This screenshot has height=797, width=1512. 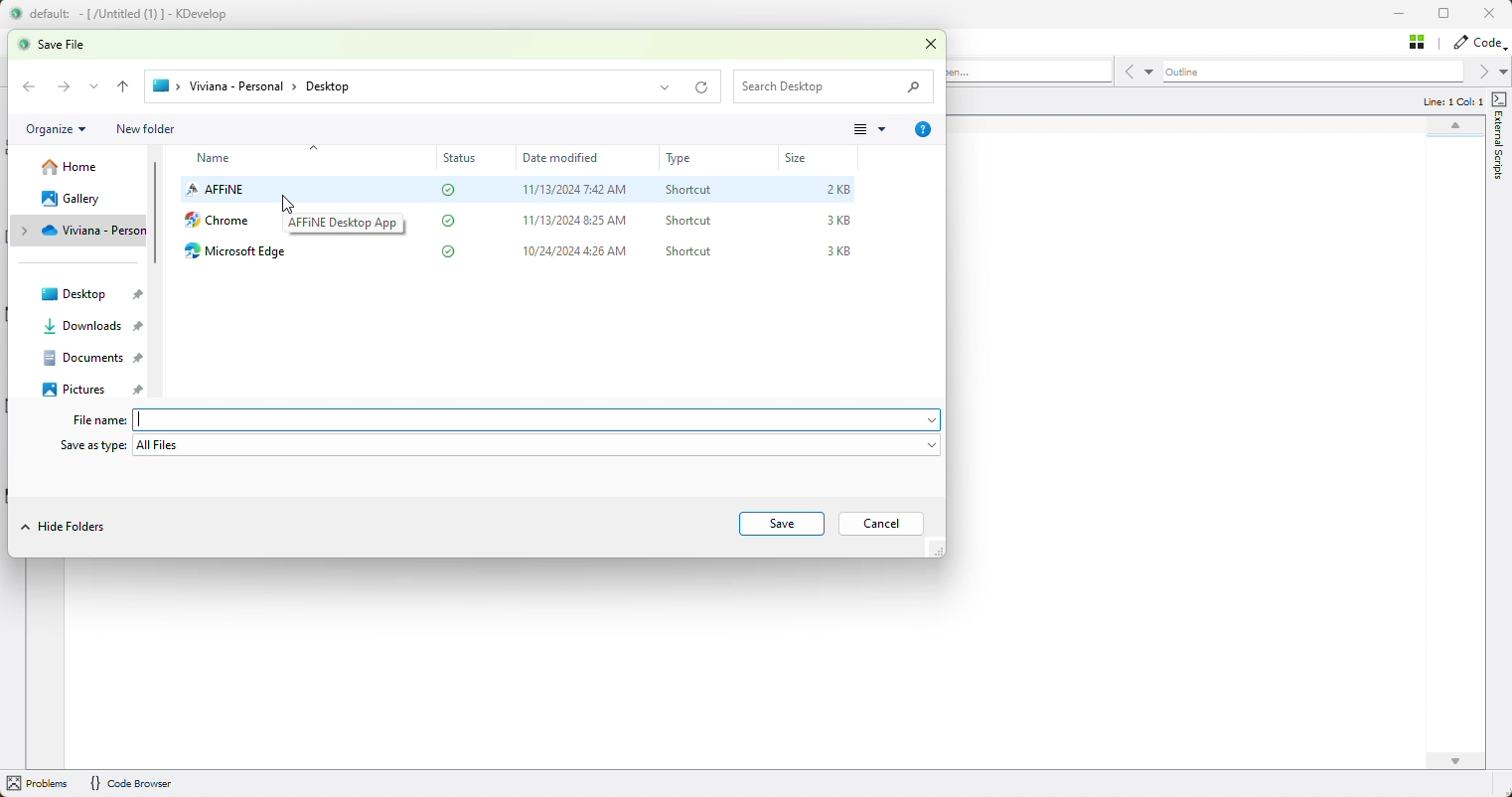 I want to click on code, so click(x=1477, y=43).